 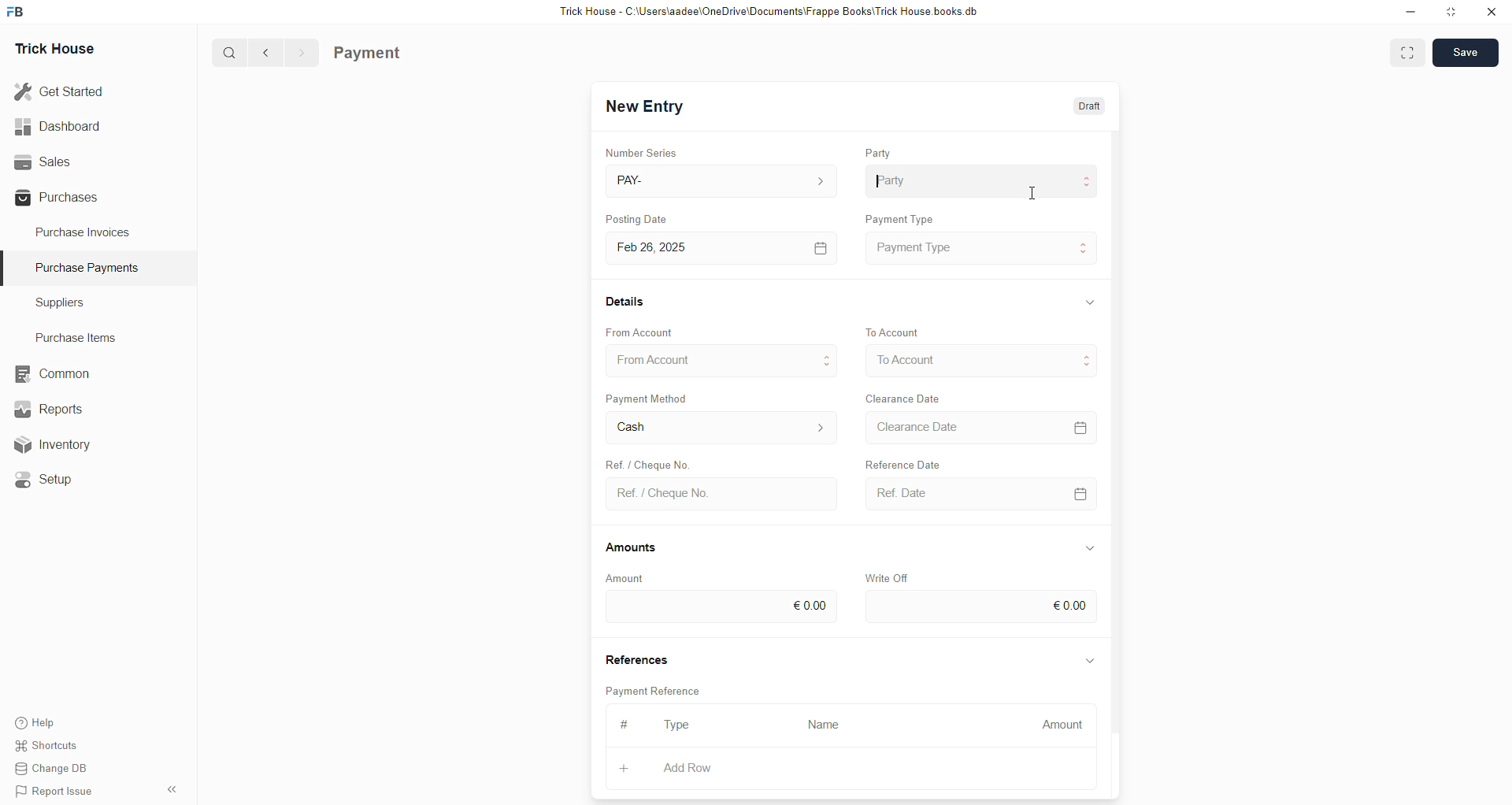 What do you see at coordinates (905, 397) in the screenshot?
I see `Clearance Date` at bounding box center [905, 397].